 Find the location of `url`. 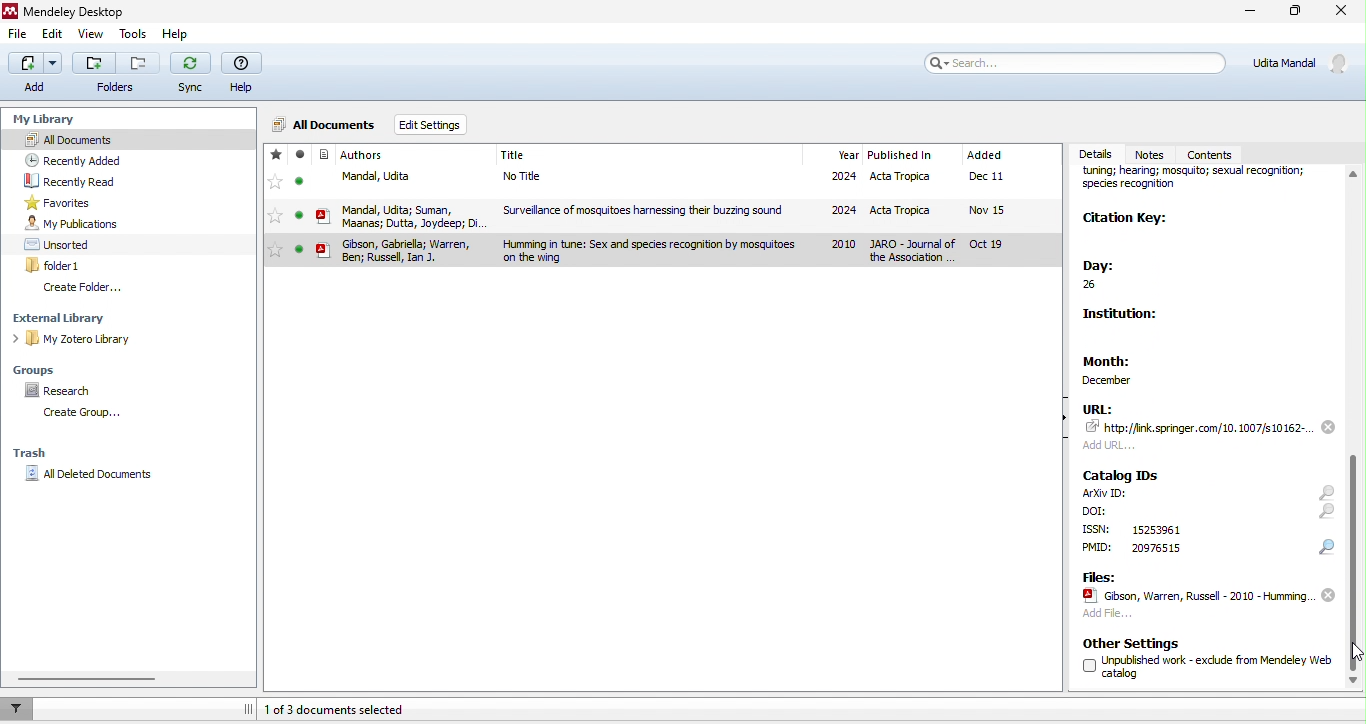

url is located at coordinates (1098, 408).